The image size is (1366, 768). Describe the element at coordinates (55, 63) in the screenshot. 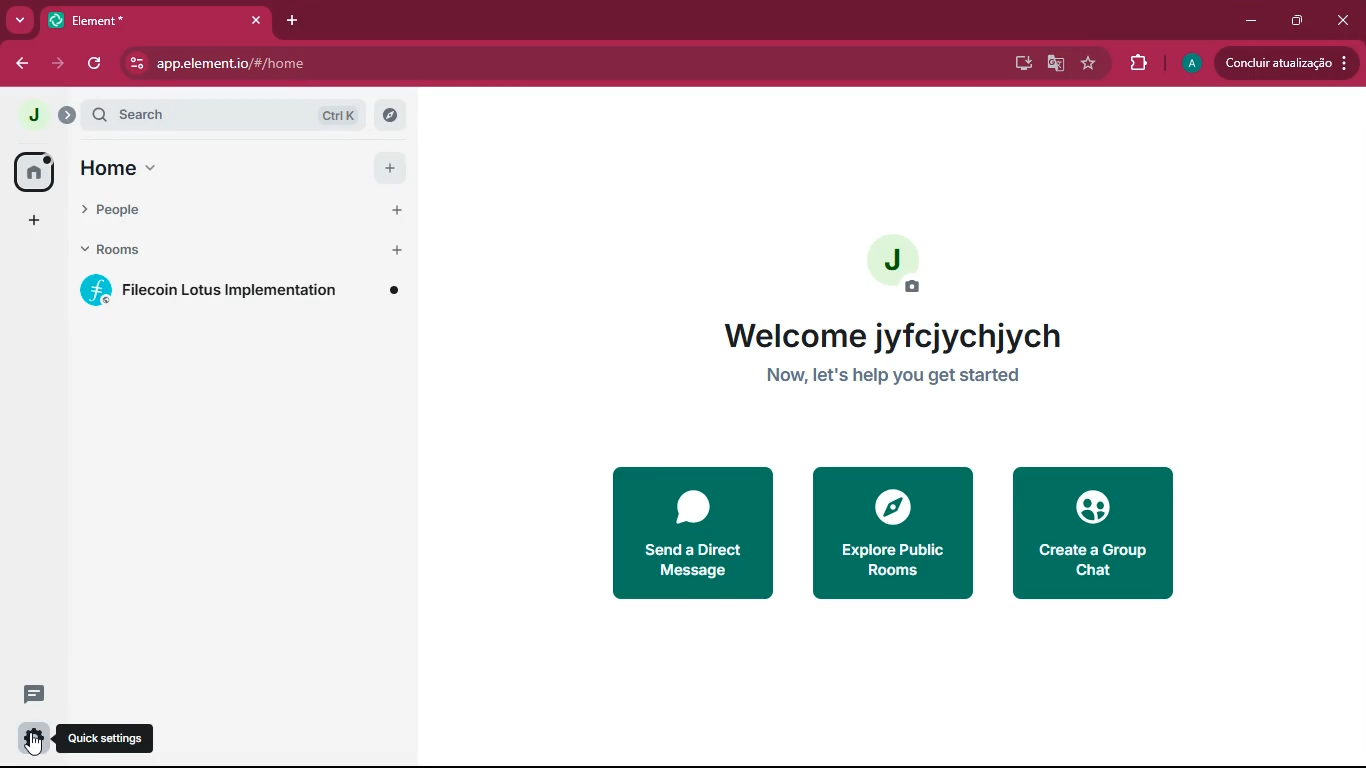

I see `forward` at that location.